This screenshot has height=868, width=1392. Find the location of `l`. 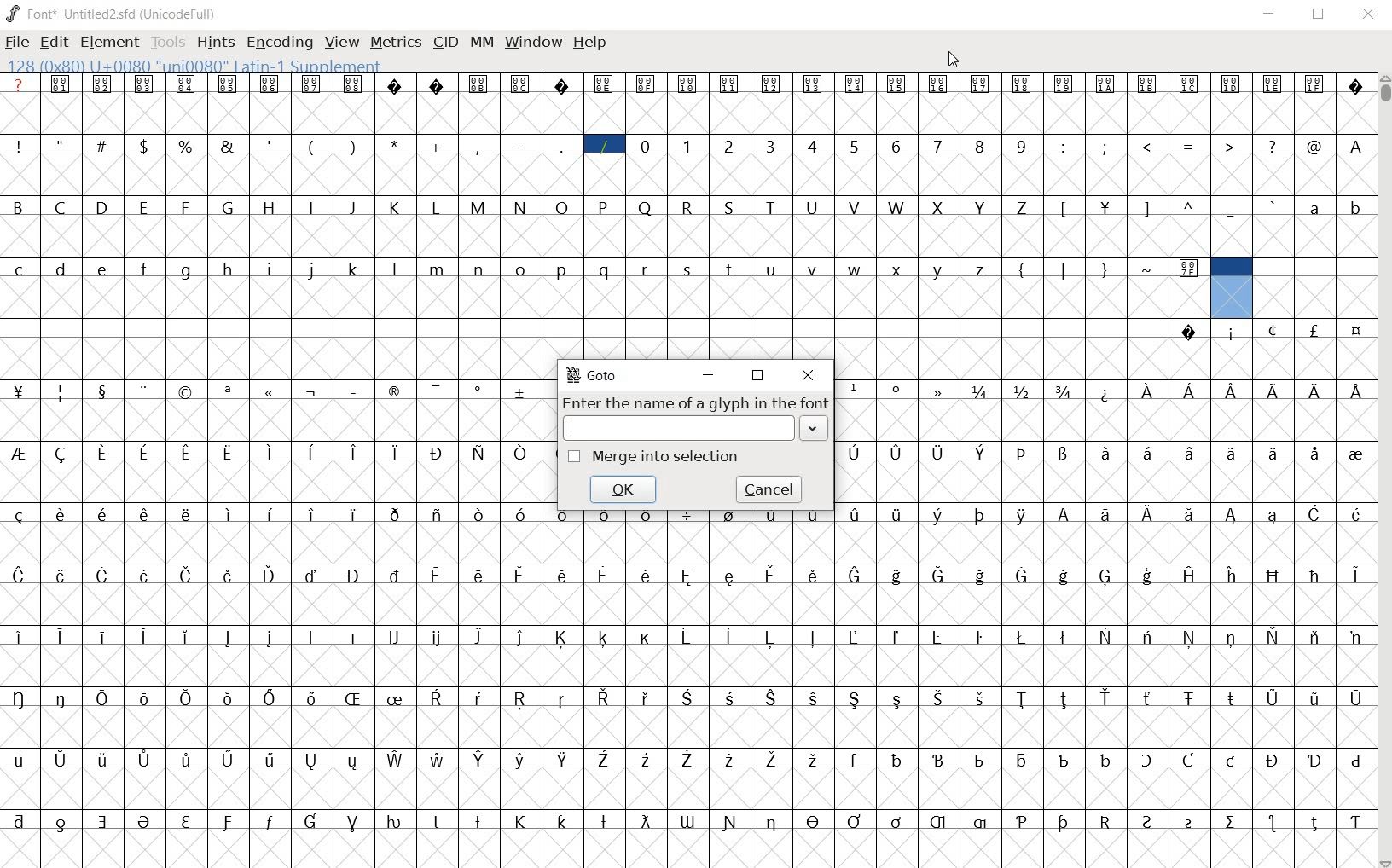

l is located at coordinates (397, 267).